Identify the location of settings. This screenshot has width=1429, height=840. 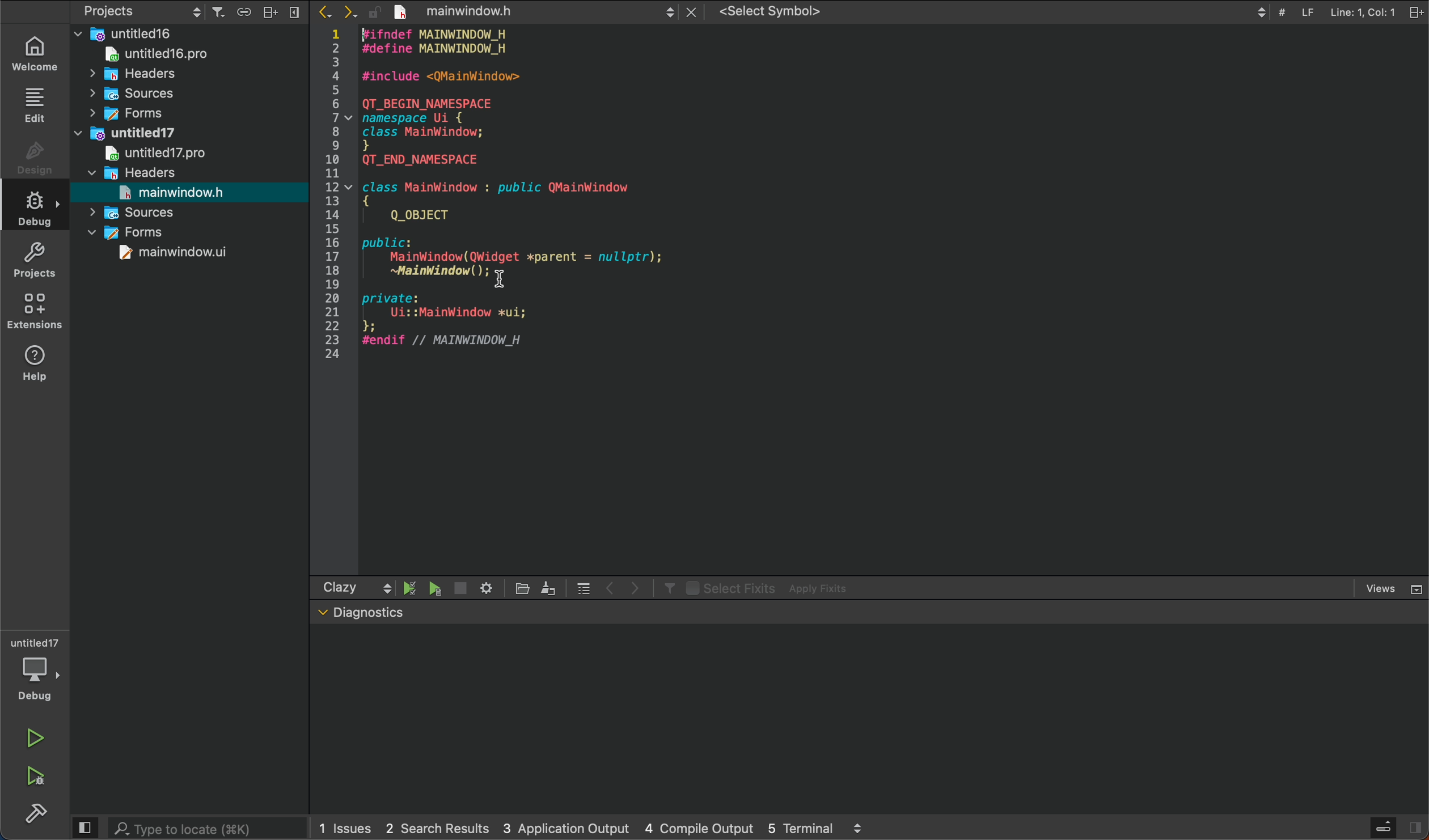
(485, 587).